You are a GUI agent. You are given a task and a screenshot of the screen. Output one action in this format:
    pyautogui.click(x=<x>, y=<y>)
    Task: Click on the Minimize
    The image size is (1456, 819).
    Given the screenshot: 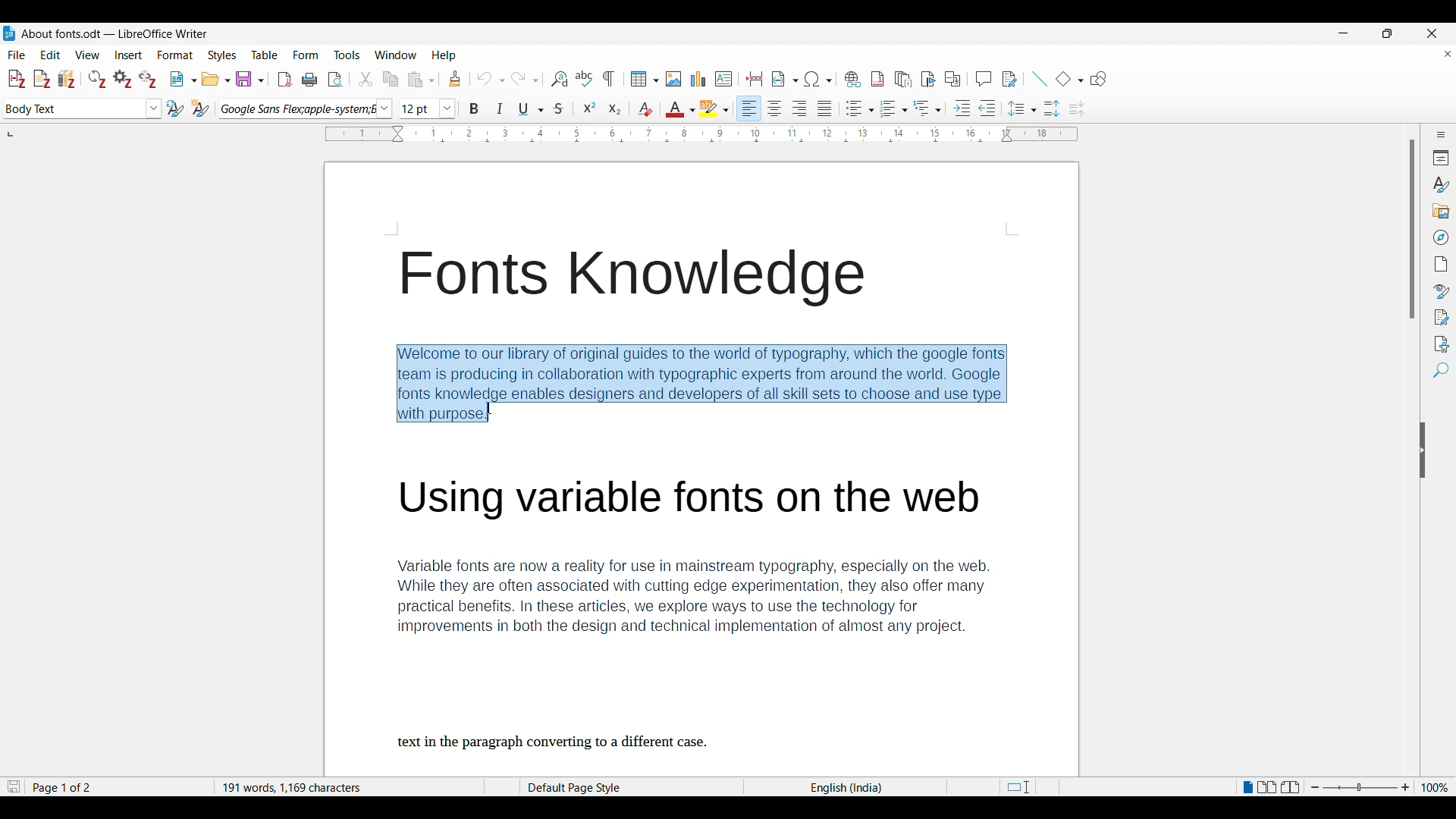 What is the action you would take?
    pyautogui.click(x=1343, y=33)
    